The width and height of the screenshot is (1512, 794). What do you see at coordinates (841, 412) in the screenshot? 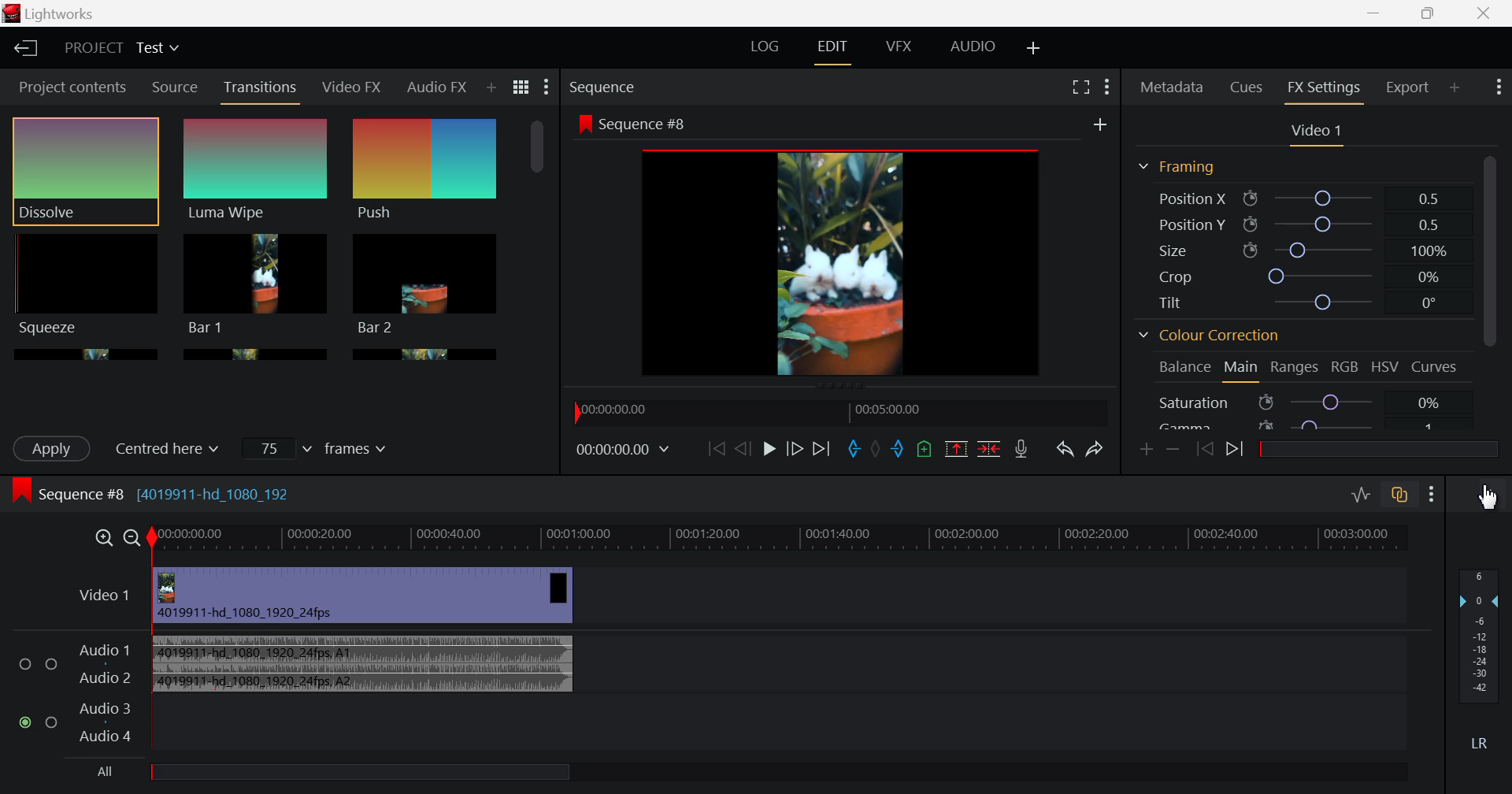
I see `Timeline Navigator` at bounding box center [841, 412].